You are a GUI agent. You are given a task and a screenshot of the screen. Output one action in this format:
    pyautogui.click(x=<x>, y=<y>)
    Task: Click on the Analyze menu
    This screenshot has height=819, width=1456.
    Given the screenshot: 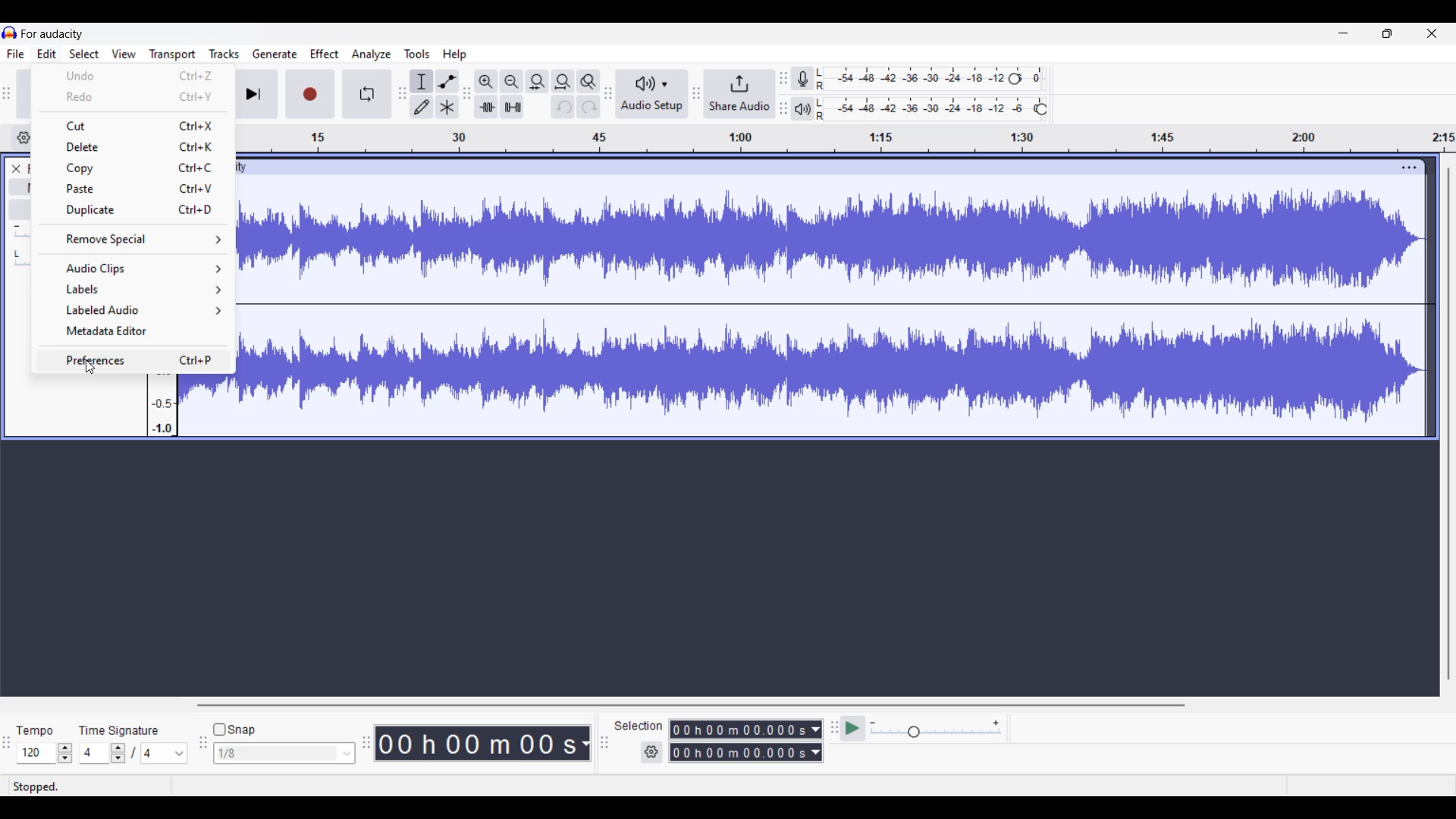 What is the action you would take?
    pyautogui.click(x=372, y=55)
    